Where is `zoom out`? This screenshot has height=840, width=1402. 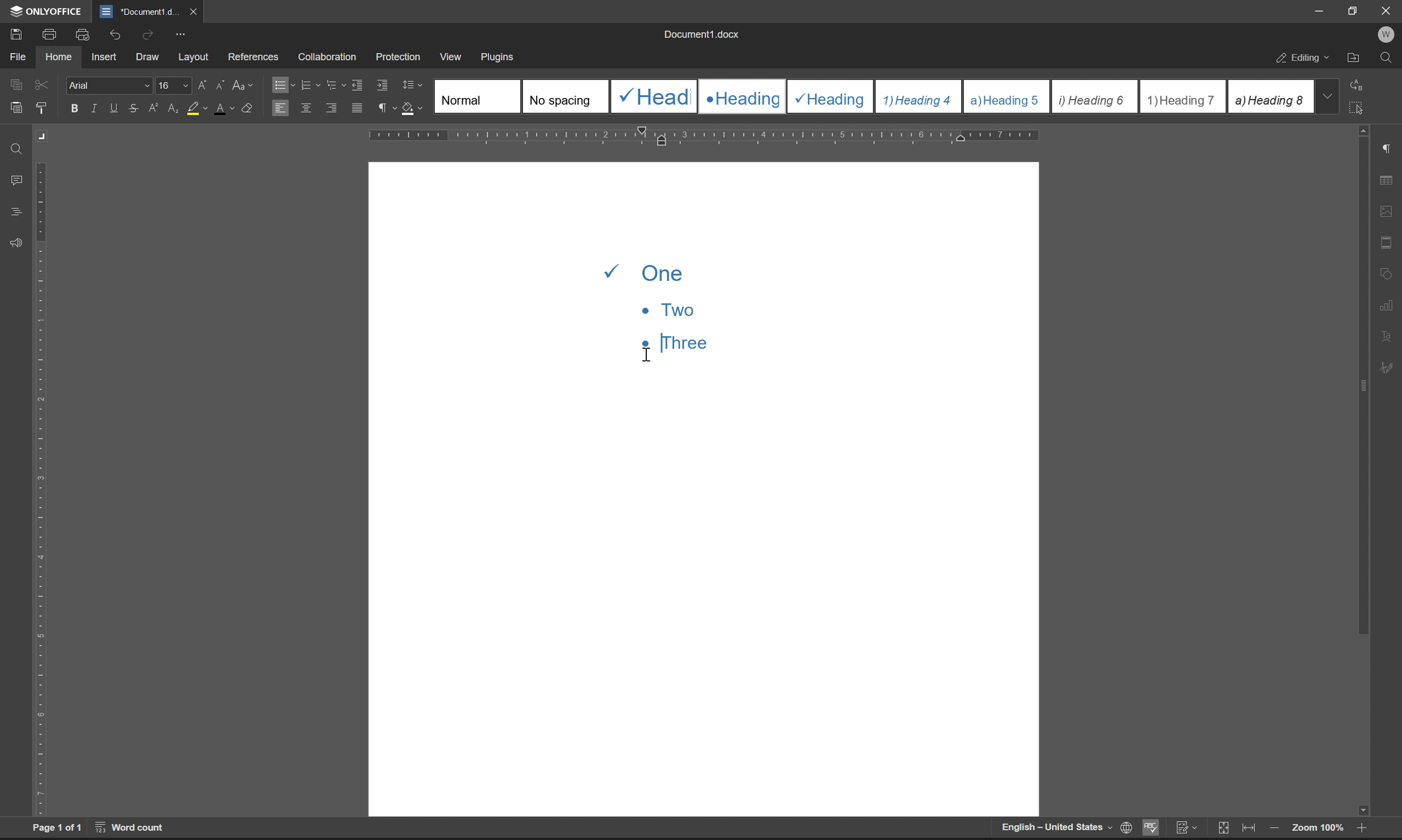
zoom out is located at coordinates (1274, 829).